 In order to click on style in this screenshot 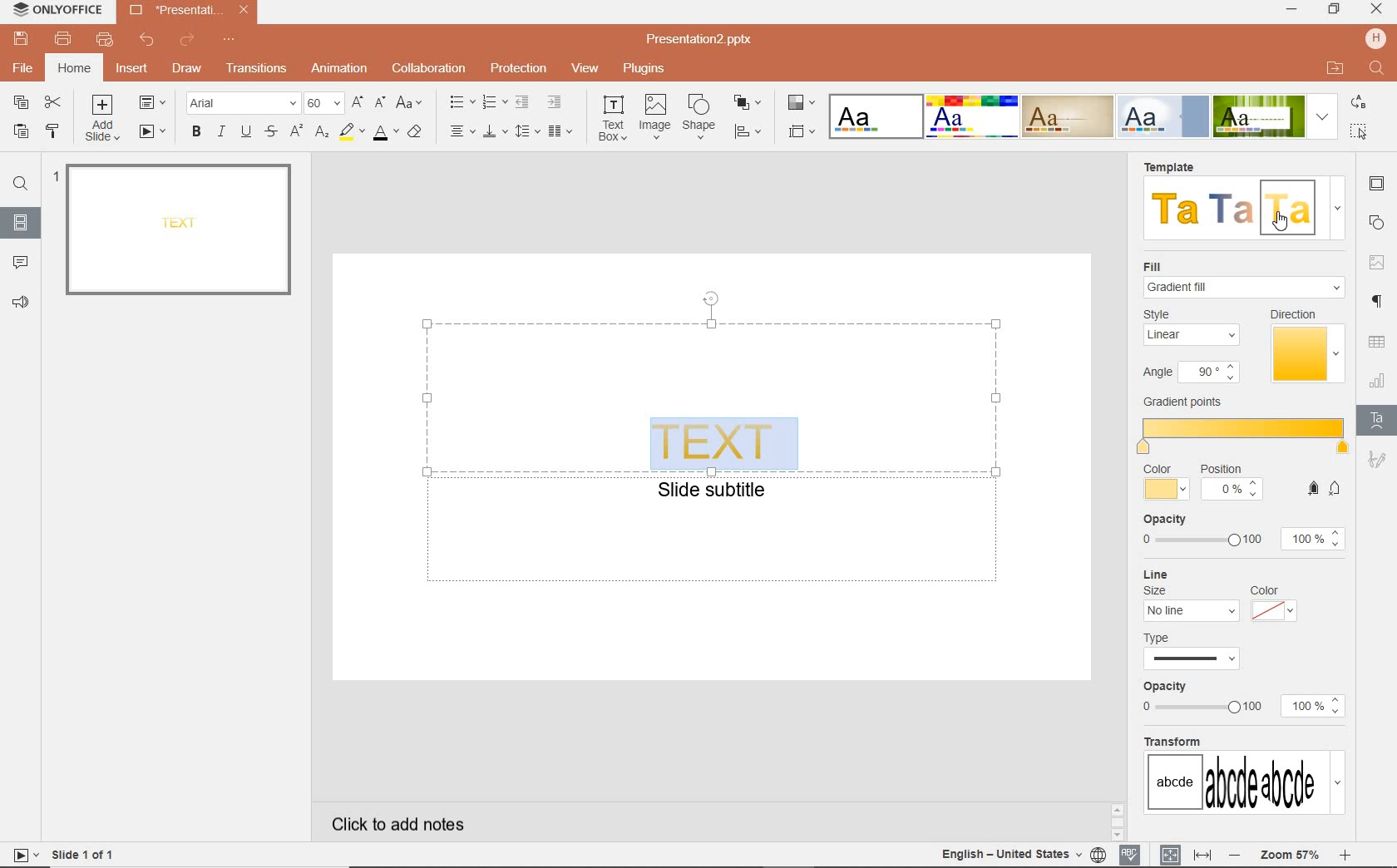, I will do `click(1159, 315)`.